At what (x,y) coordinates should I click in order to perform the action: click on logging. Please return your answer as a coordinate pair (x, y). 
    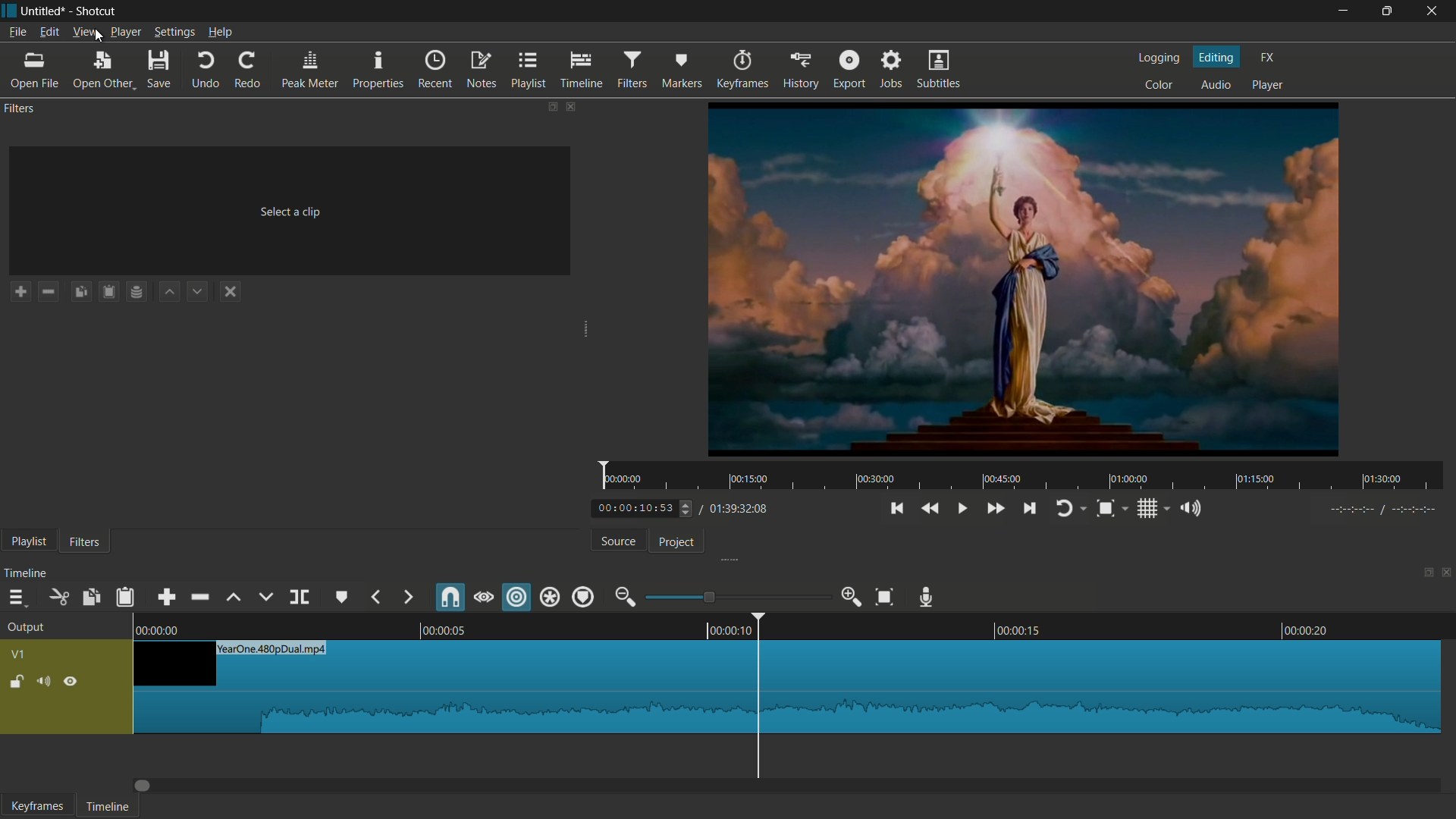
    Looking at the image, I should click on (1160, 58).